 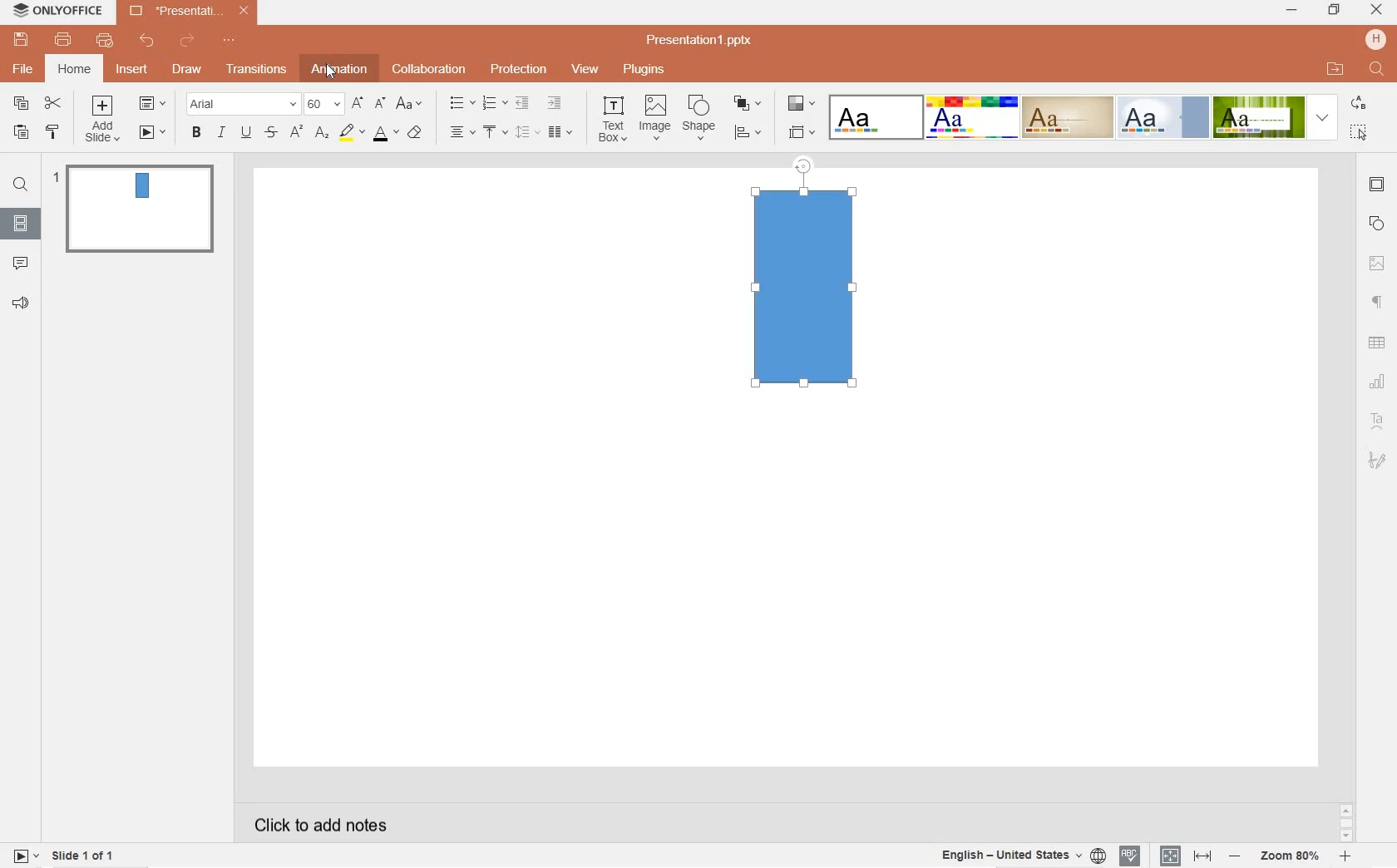 I want to click on subscript, so click(x=323, y=133).